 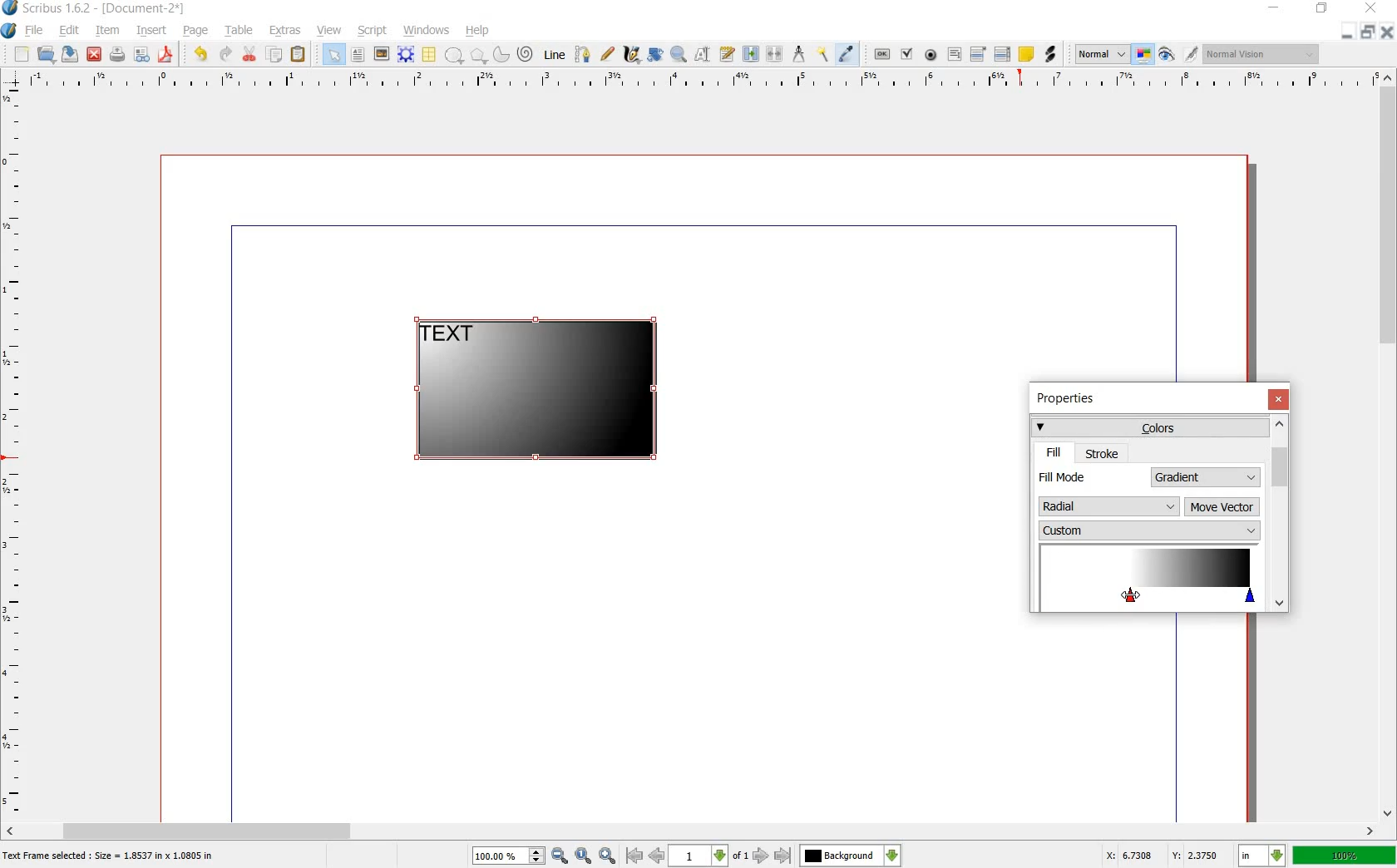 I want to click on windows, so click(x=426, y=31).